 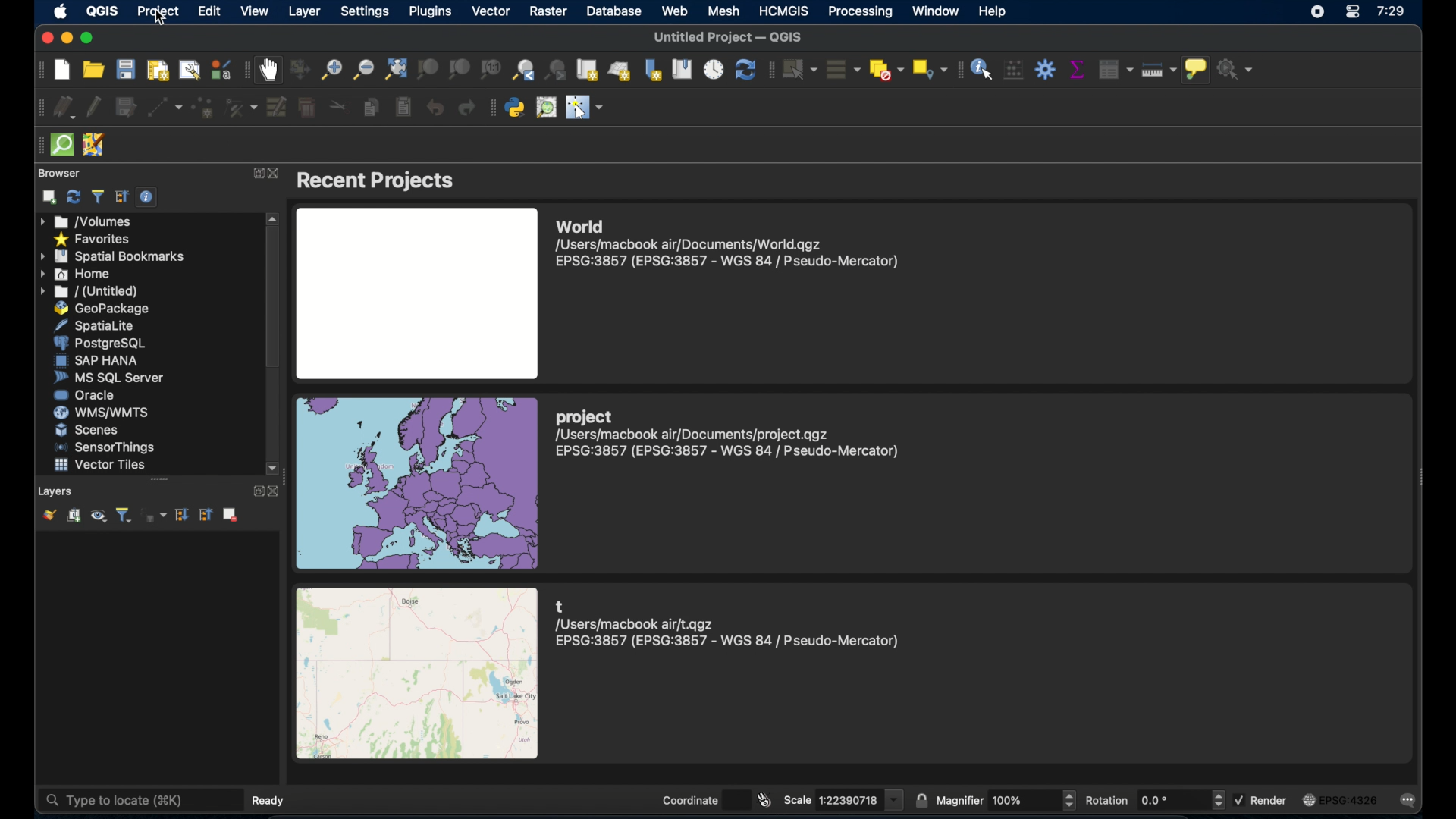 I want to click on add selected layers, so click(x=49, y=197).